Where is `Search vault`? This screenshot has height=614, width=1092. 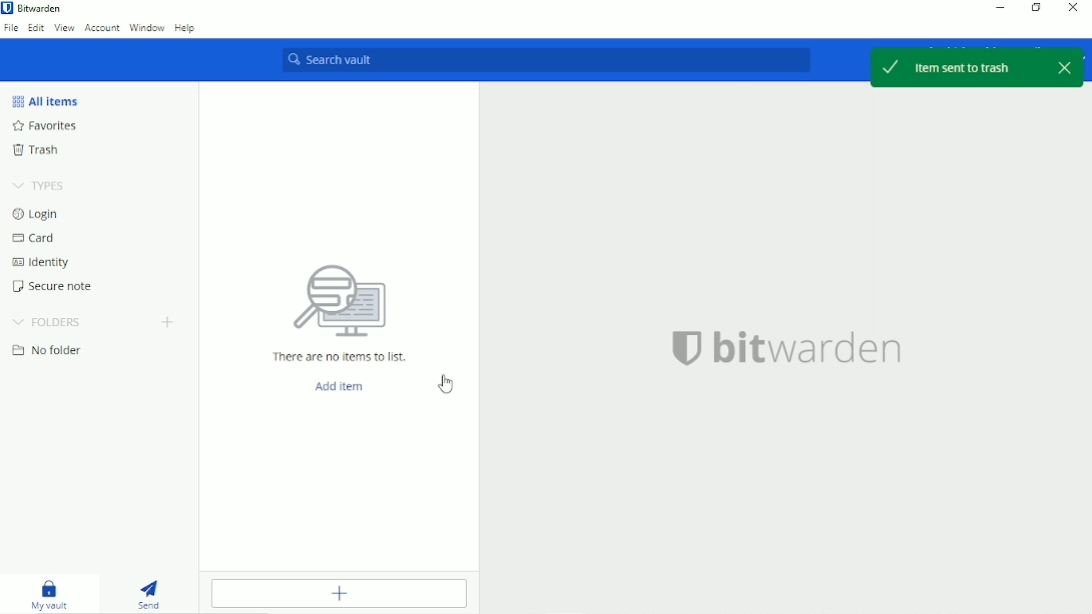
Search vault is located at coordinates (545, 60).